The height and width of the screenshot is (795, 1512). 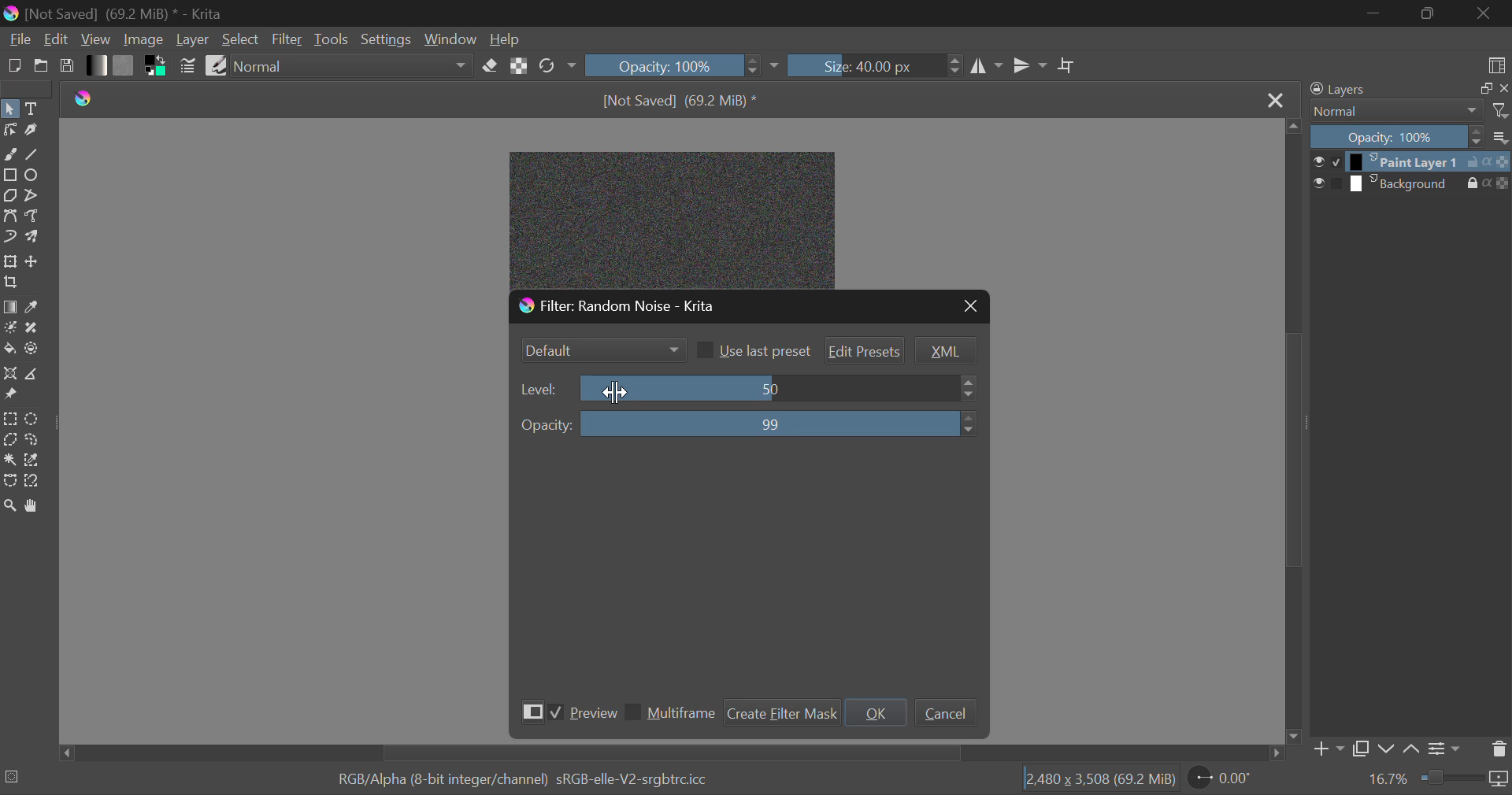 I want to click on 2,480x3508 (69.2) mib, so click(x=1095, y=782).